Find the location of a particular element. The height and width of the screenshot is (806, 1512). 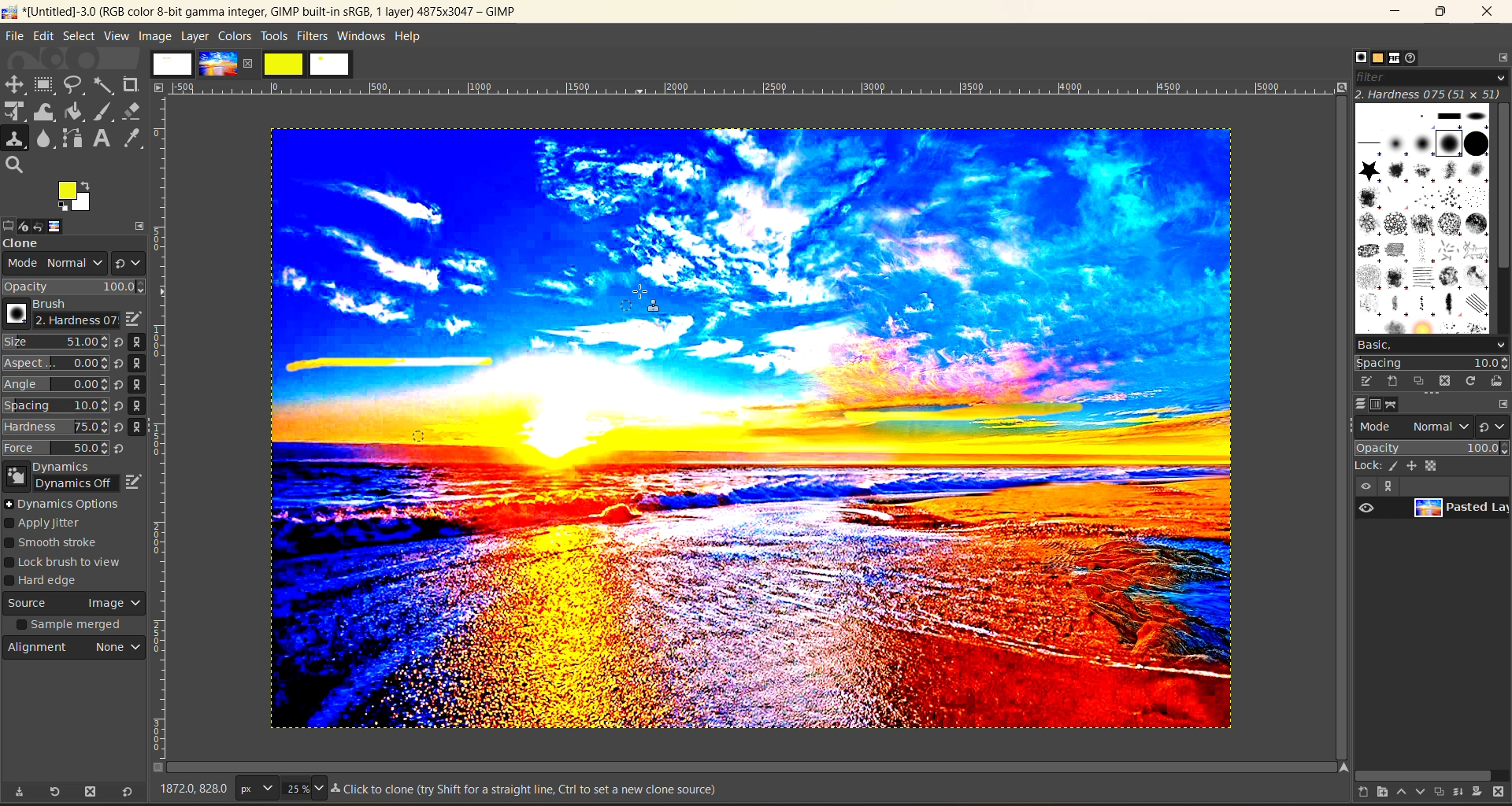

create a new layer is located at coordinates (1354, 793).